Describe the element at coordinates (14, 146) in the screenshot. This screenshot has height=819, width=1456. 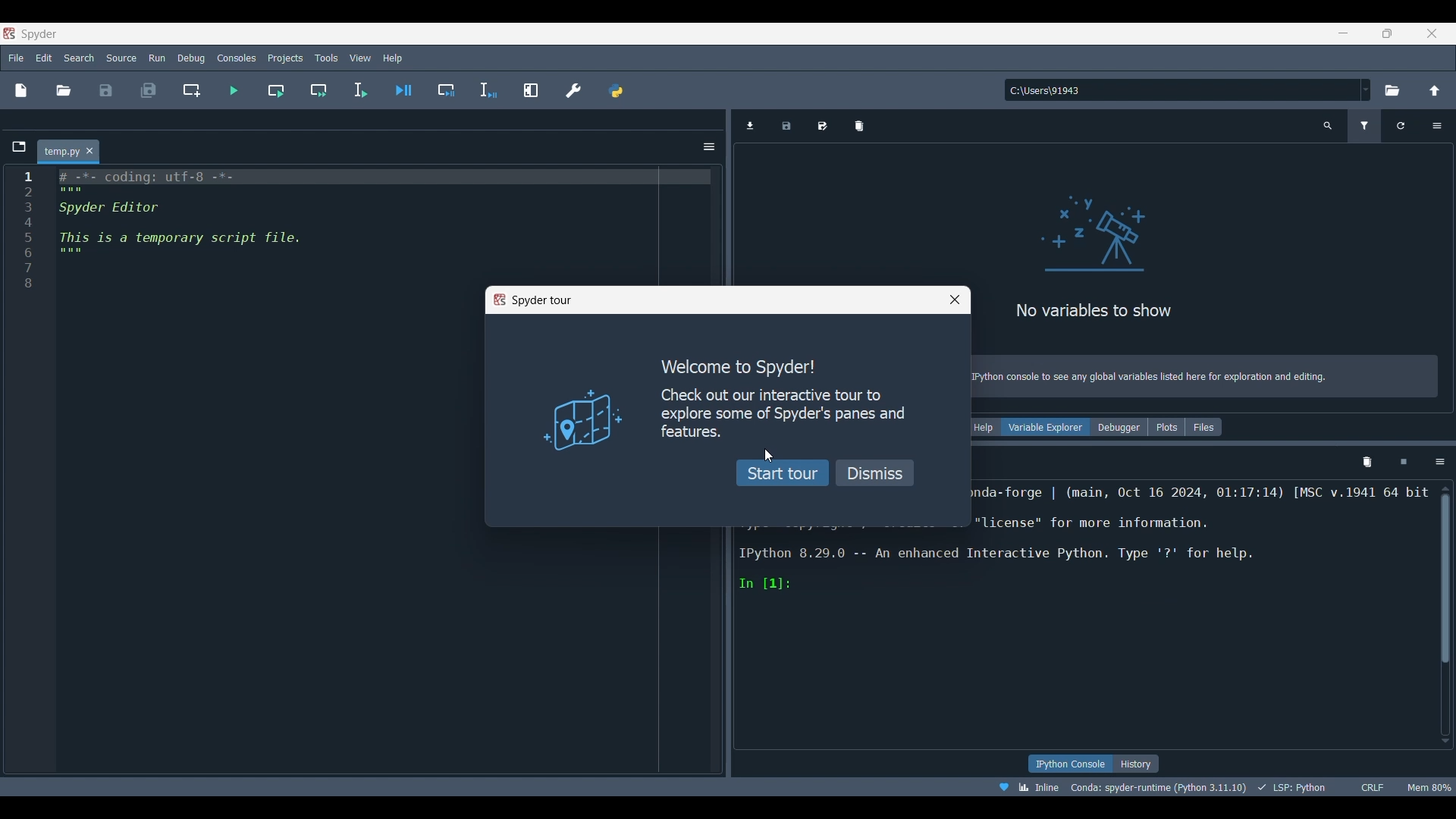
I see `browse tabs` at that location.